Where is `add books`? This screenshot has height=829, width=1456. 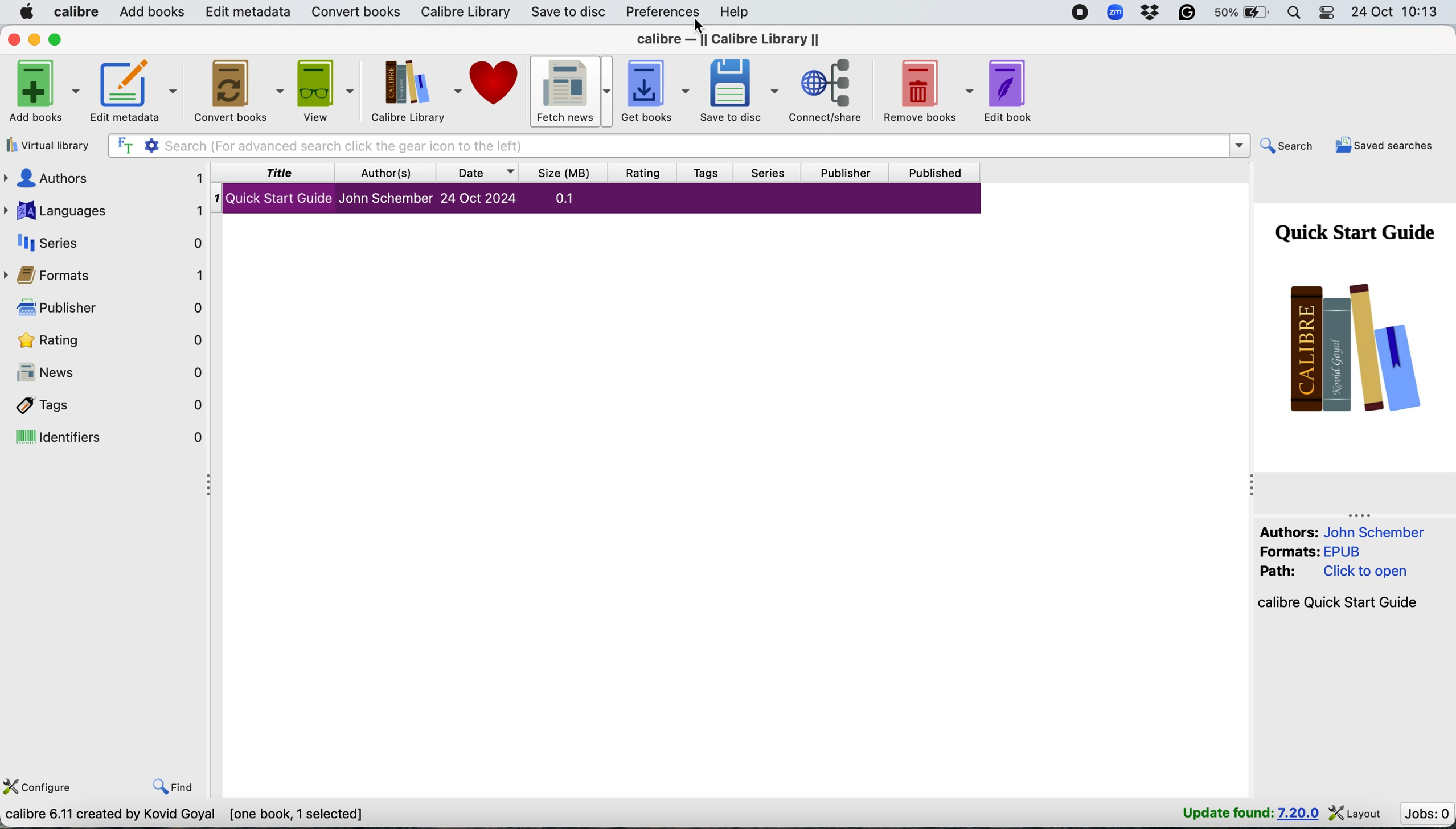 add books is located at coordinates (47, 91).